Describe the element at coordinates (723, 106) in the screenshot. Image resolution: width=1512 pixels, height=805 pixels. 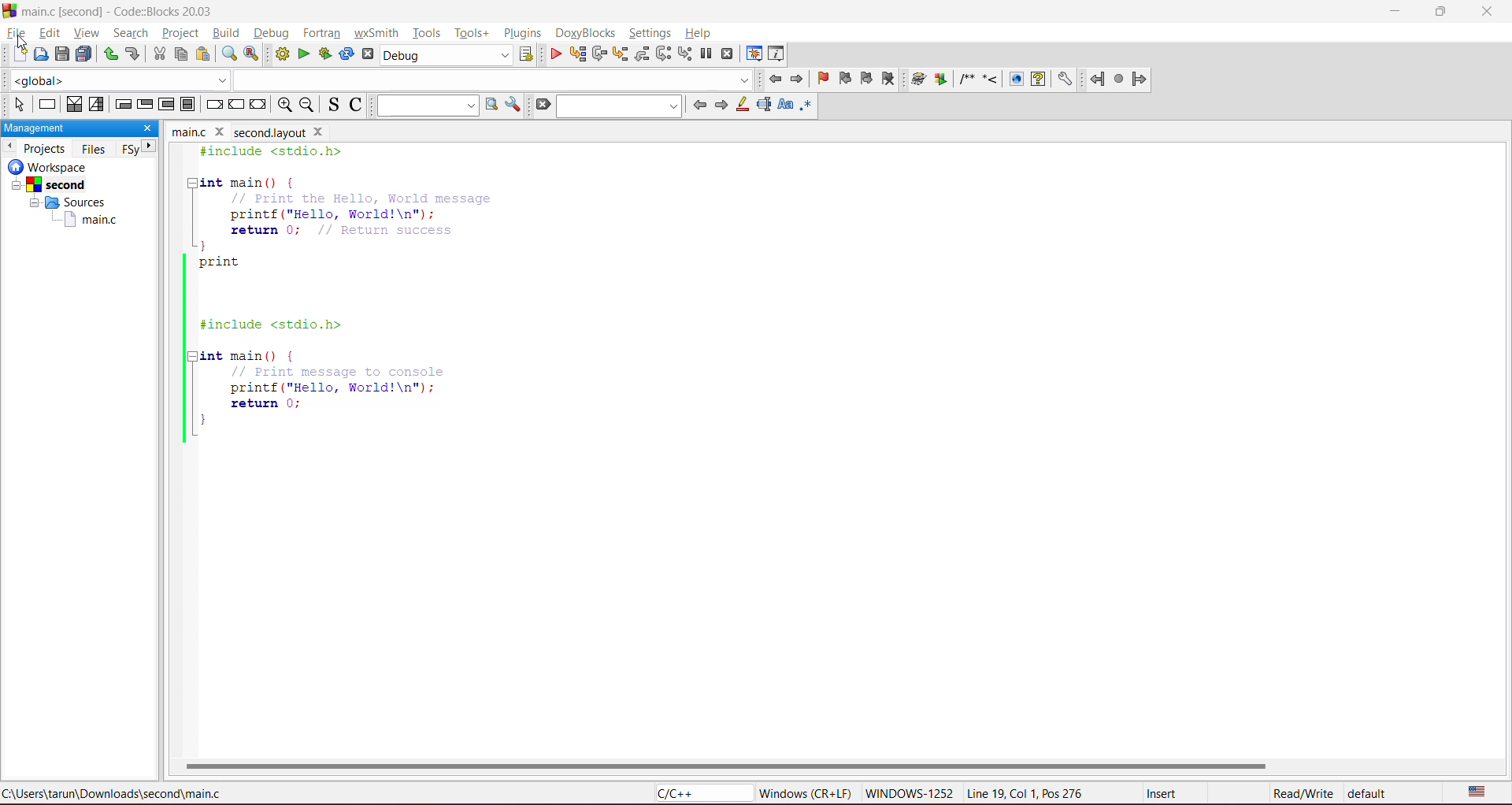
I see `next` at that location.